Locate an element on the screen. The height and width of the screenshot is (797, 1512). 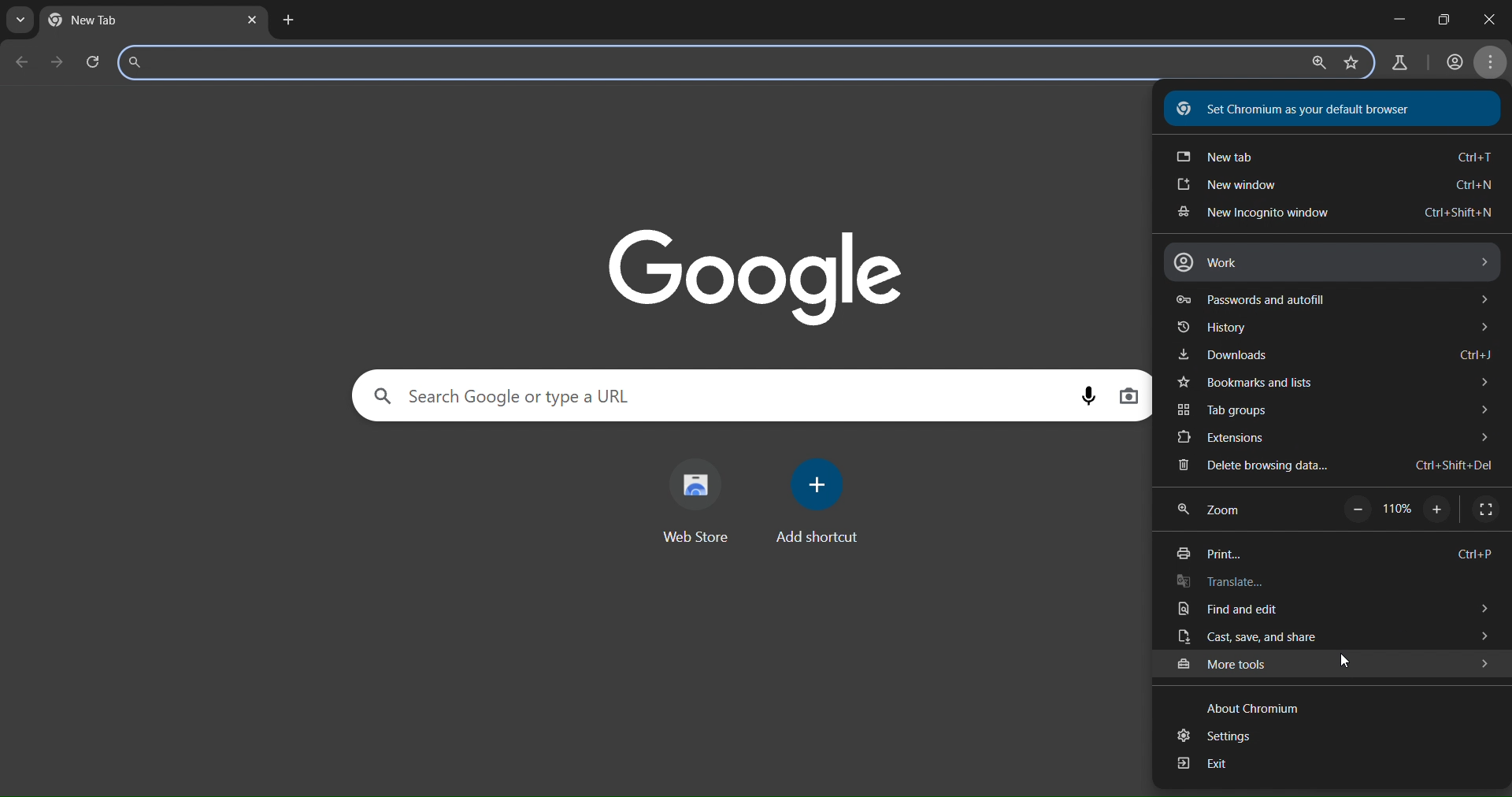
cast, save and share is located at coordinates (1327, 638).